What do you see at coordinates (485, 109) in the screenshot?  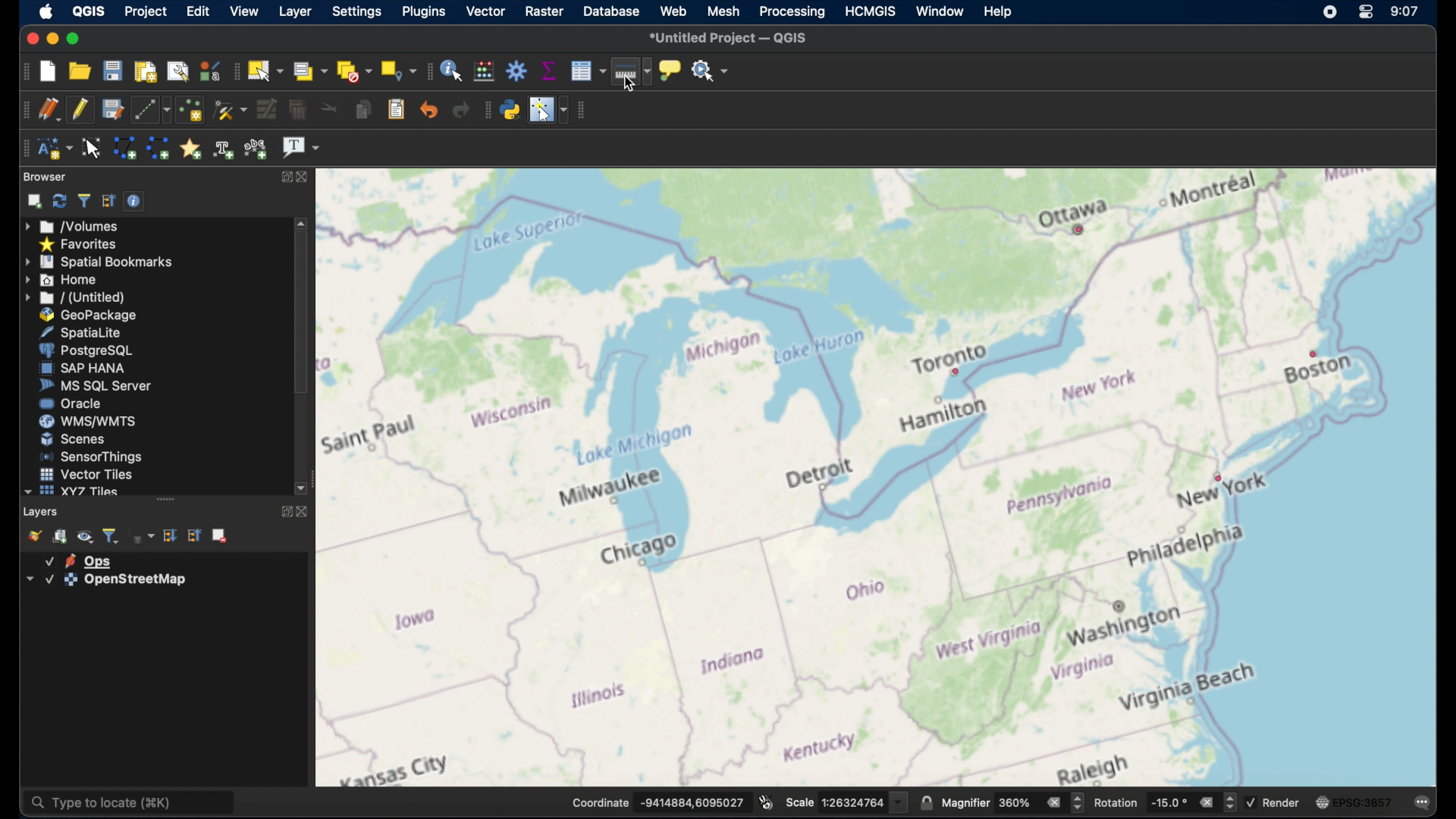 I see `plugins toolbar` at bounding box center [485, 109].